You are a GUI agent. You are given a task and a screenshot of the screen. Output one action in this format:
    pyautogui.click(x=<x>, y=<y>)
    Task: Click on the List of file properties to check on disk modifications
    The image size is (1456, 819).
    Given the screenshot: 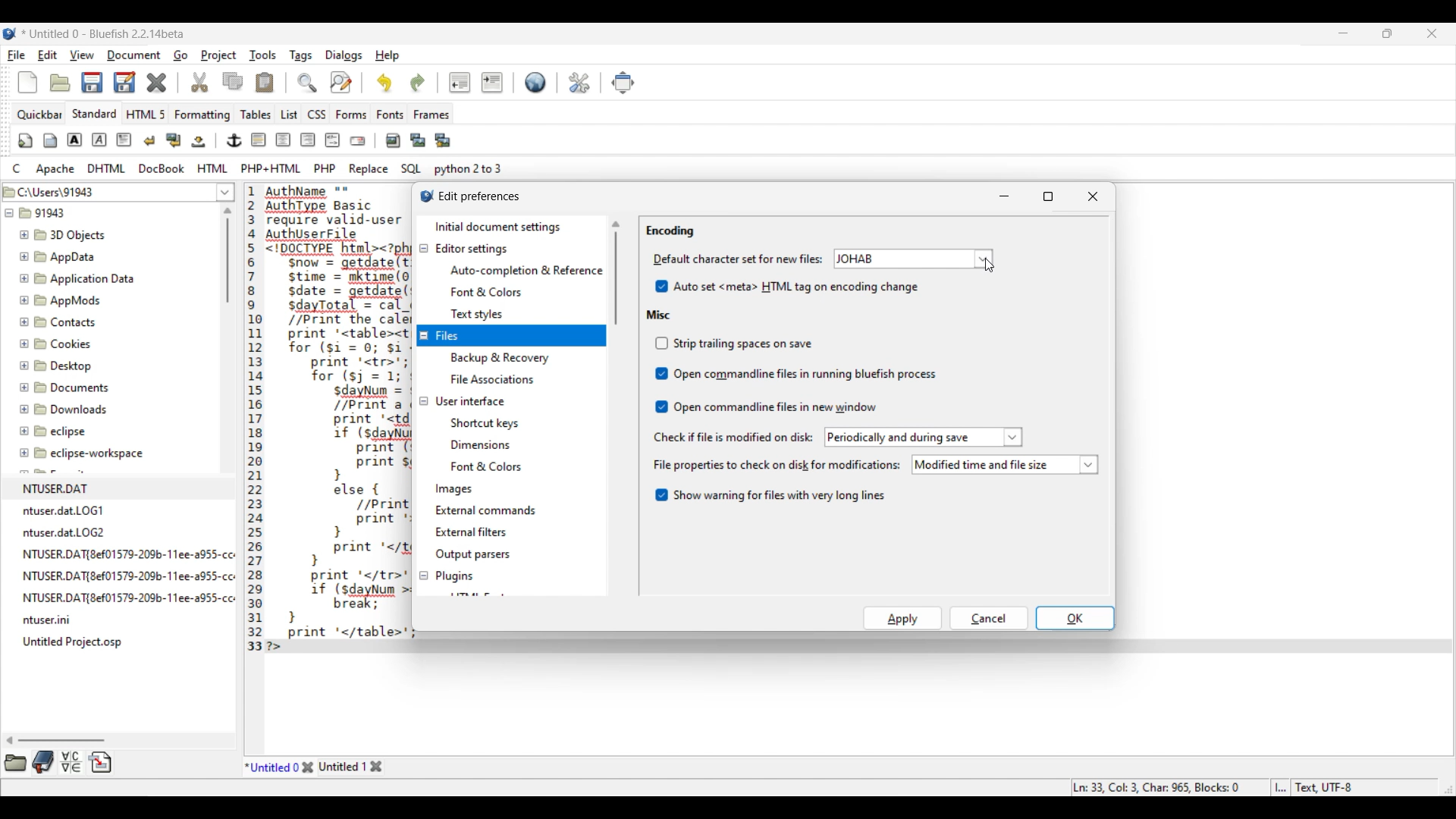 What is the action you would take?
    pyautogui.click(x=1004, y=465)
    